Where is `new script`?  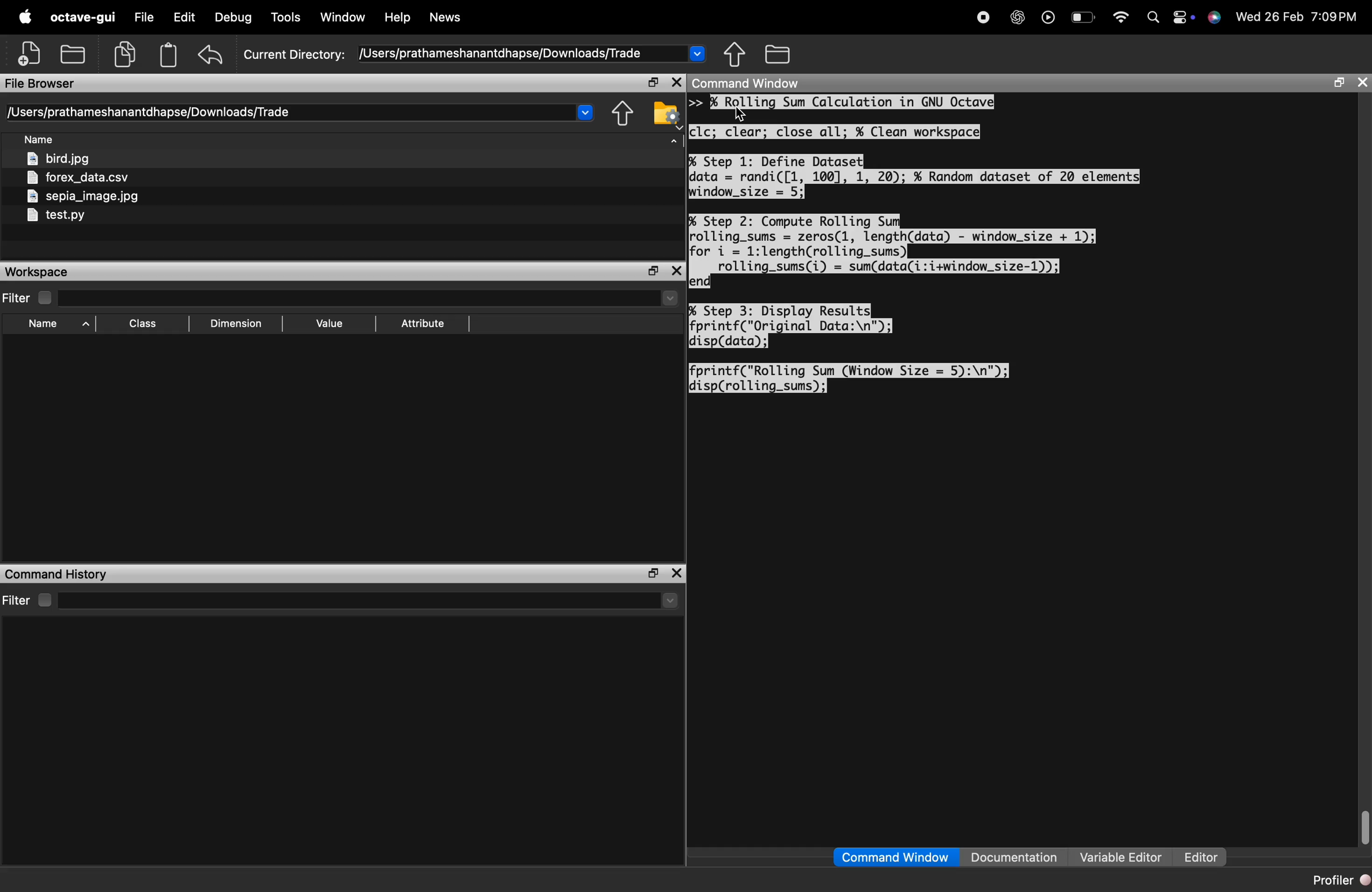
new script is located at coordinates (30, 54).